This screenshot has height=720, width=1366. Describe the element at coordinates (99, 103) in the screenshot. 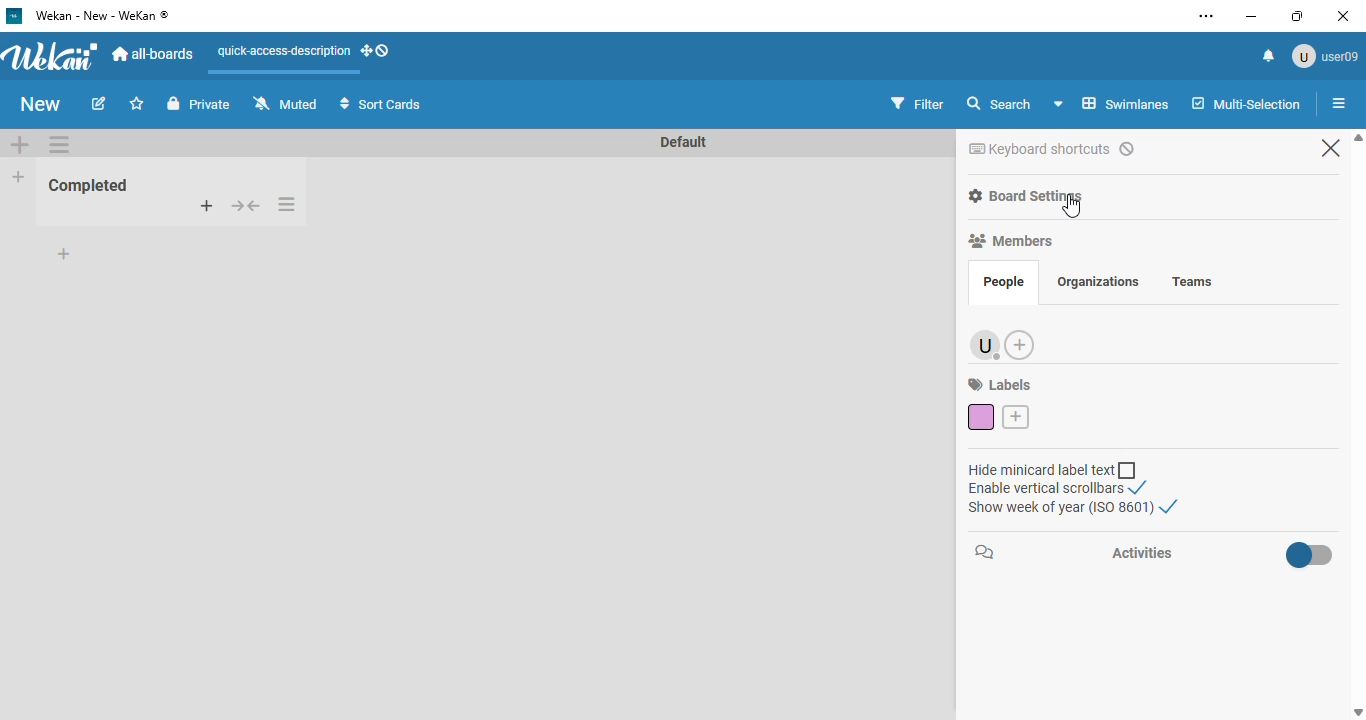

I see `edit` at that location.